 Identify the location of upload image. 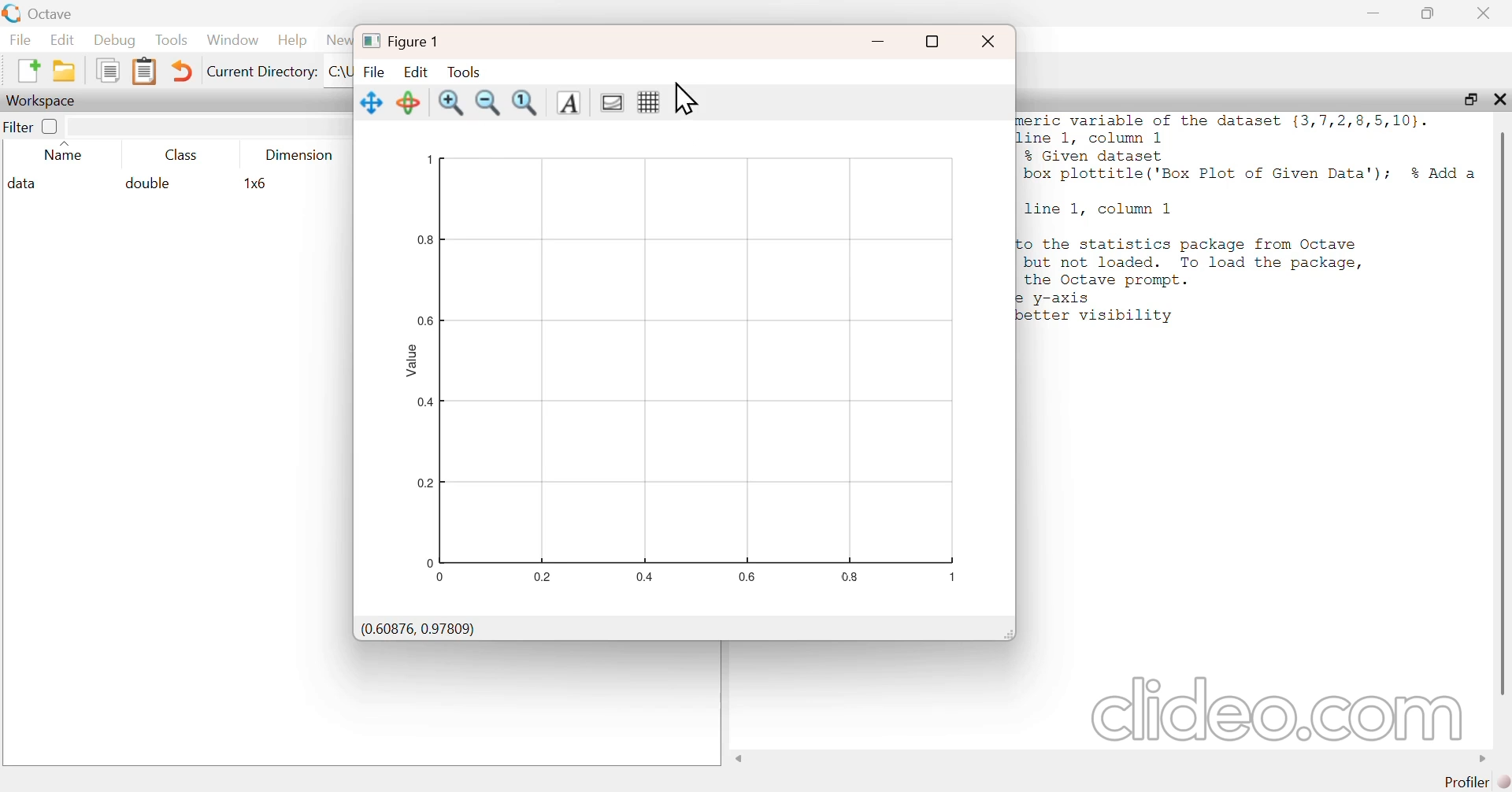
(611, 103).